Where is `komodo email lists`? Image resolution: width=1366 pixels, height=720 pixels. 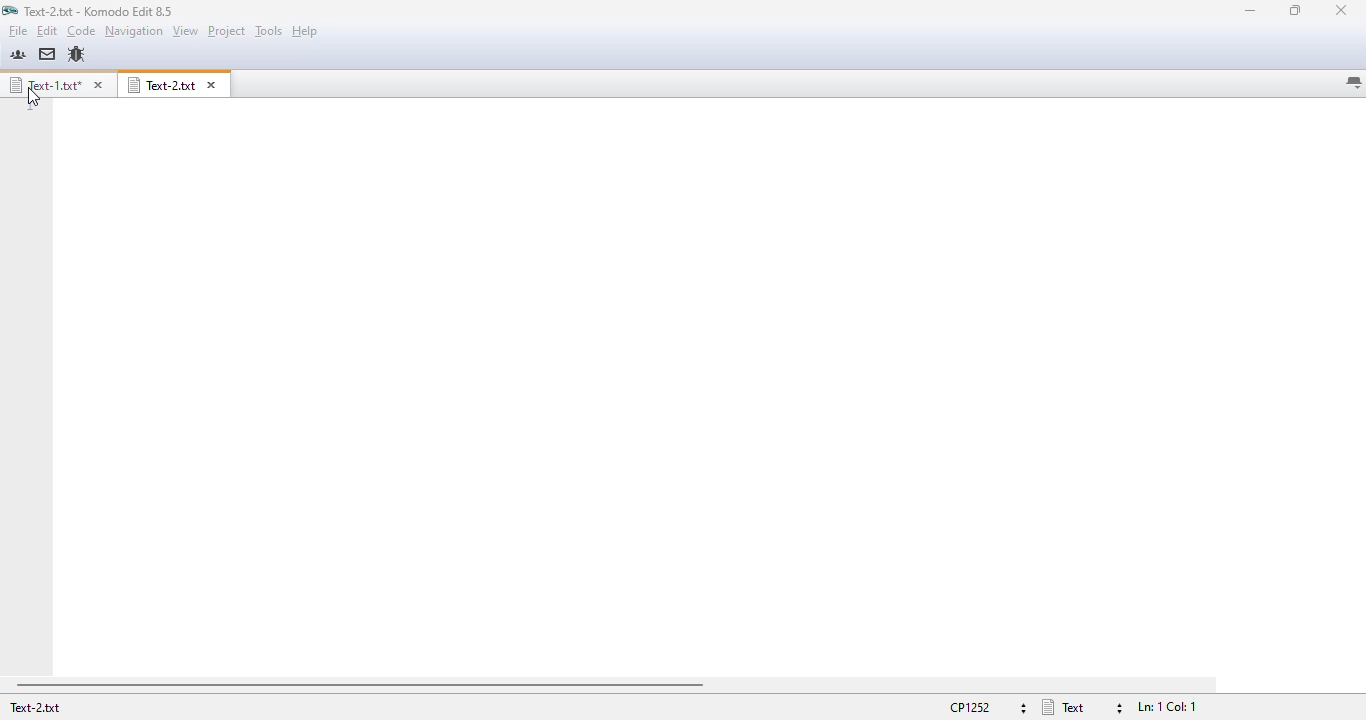
komodo email lists is located at coordinates (47, 53).